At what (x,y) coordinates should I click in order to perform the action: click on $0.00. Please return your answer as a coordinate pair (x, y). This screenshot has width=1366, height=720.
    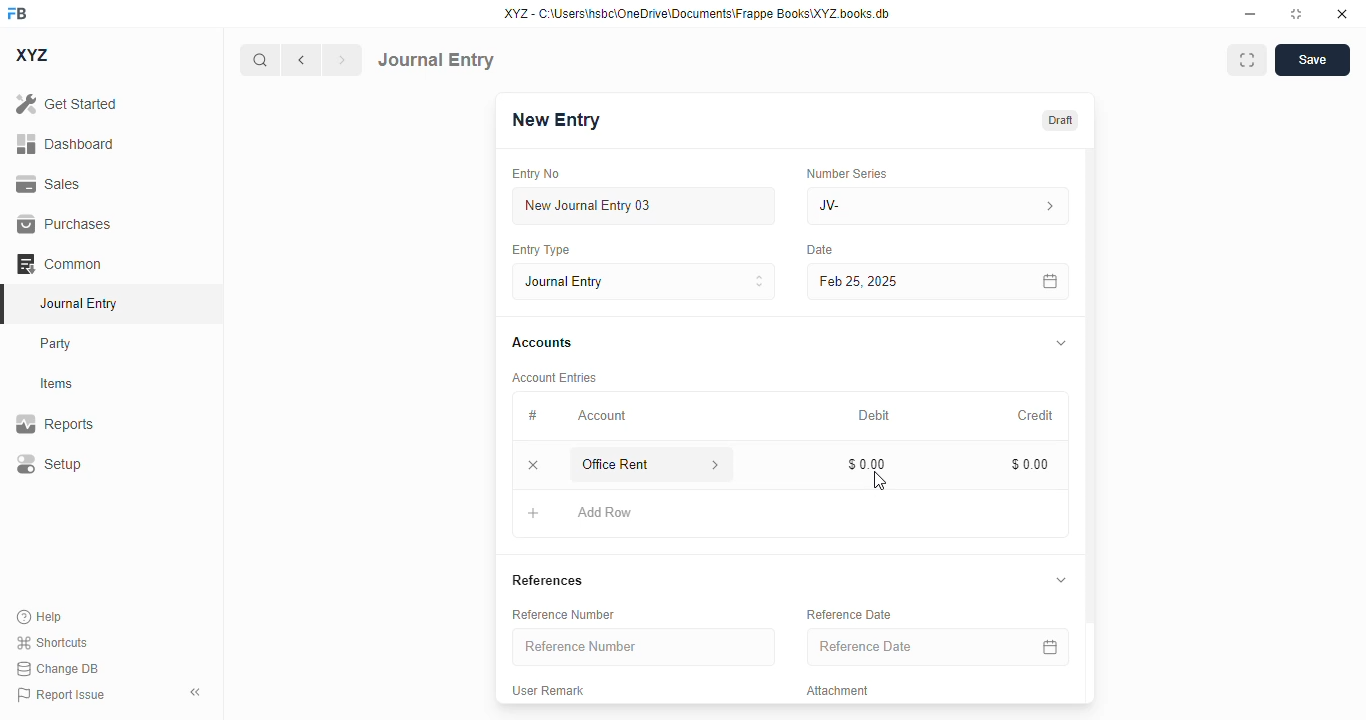
    Looking at the image, I should click on (868, 464).